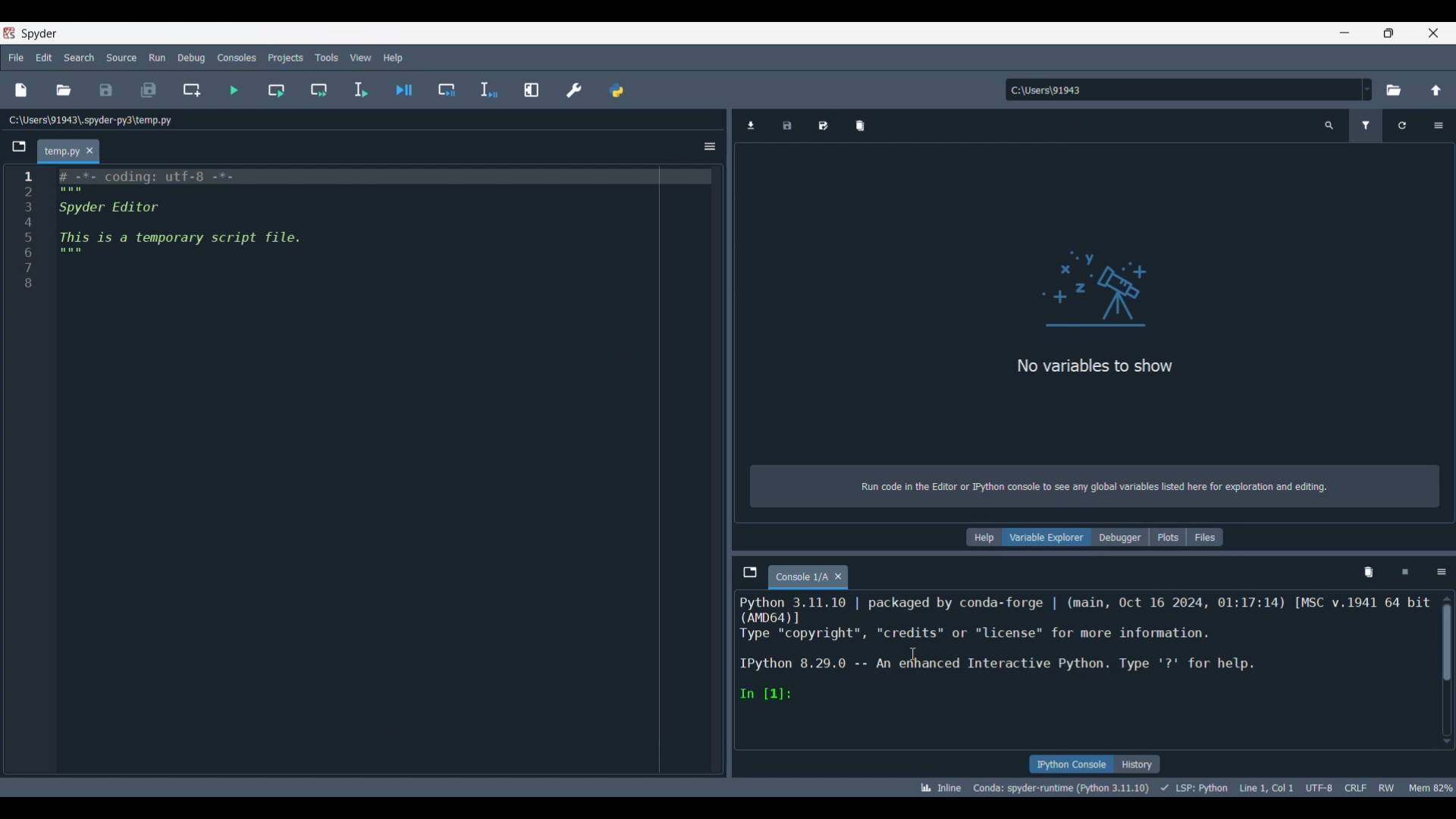  I want to click on Run current cell and go to next one, so click(318, 89).